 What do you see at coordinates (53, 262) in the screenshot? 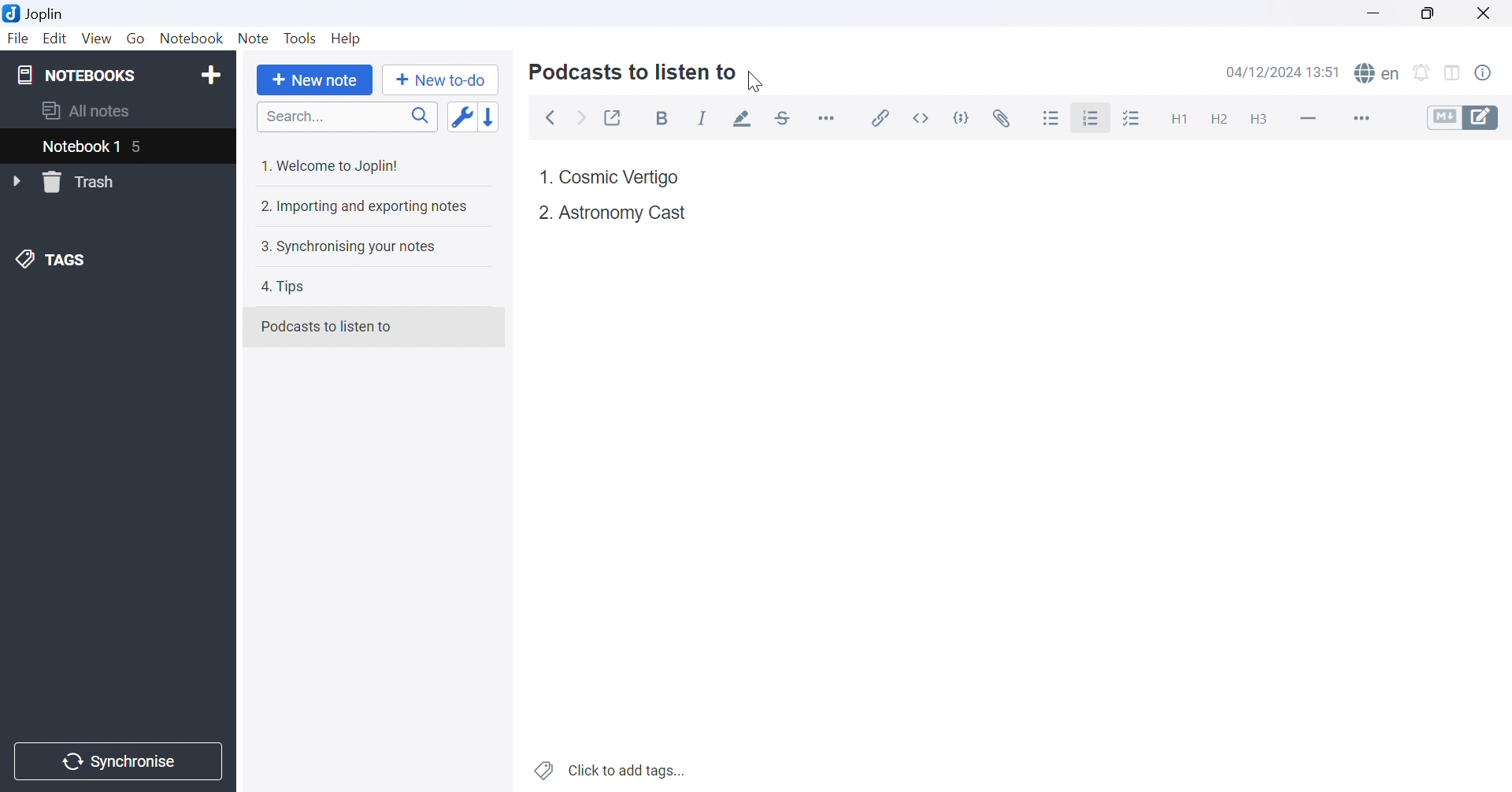
I see `TAGS` at bounding box center [53, 262].